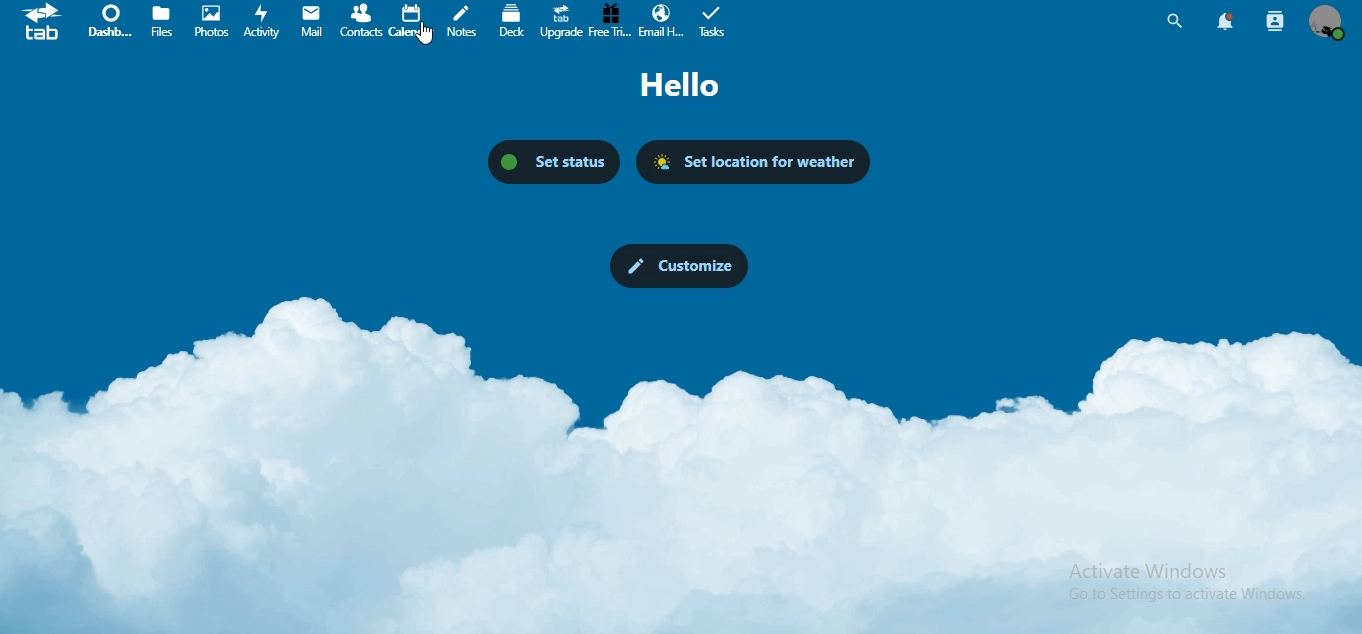 The image size is (1362, 634). What do you see at coordinates (758, 163) in the screenshot?
I see `set location for weather` at bounding box center [758, 163].